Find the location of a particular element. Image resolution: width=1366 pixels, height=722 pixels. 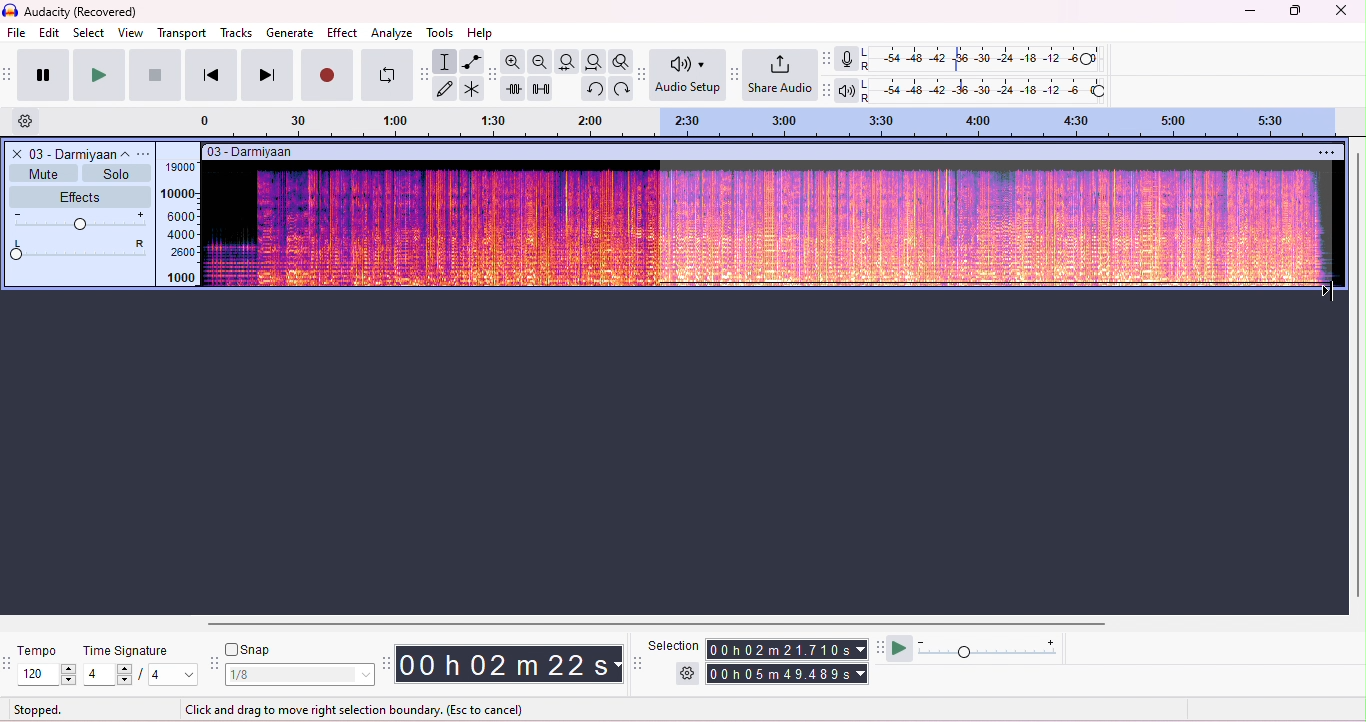

share audio tool bar is located at coordinates (736, 74).